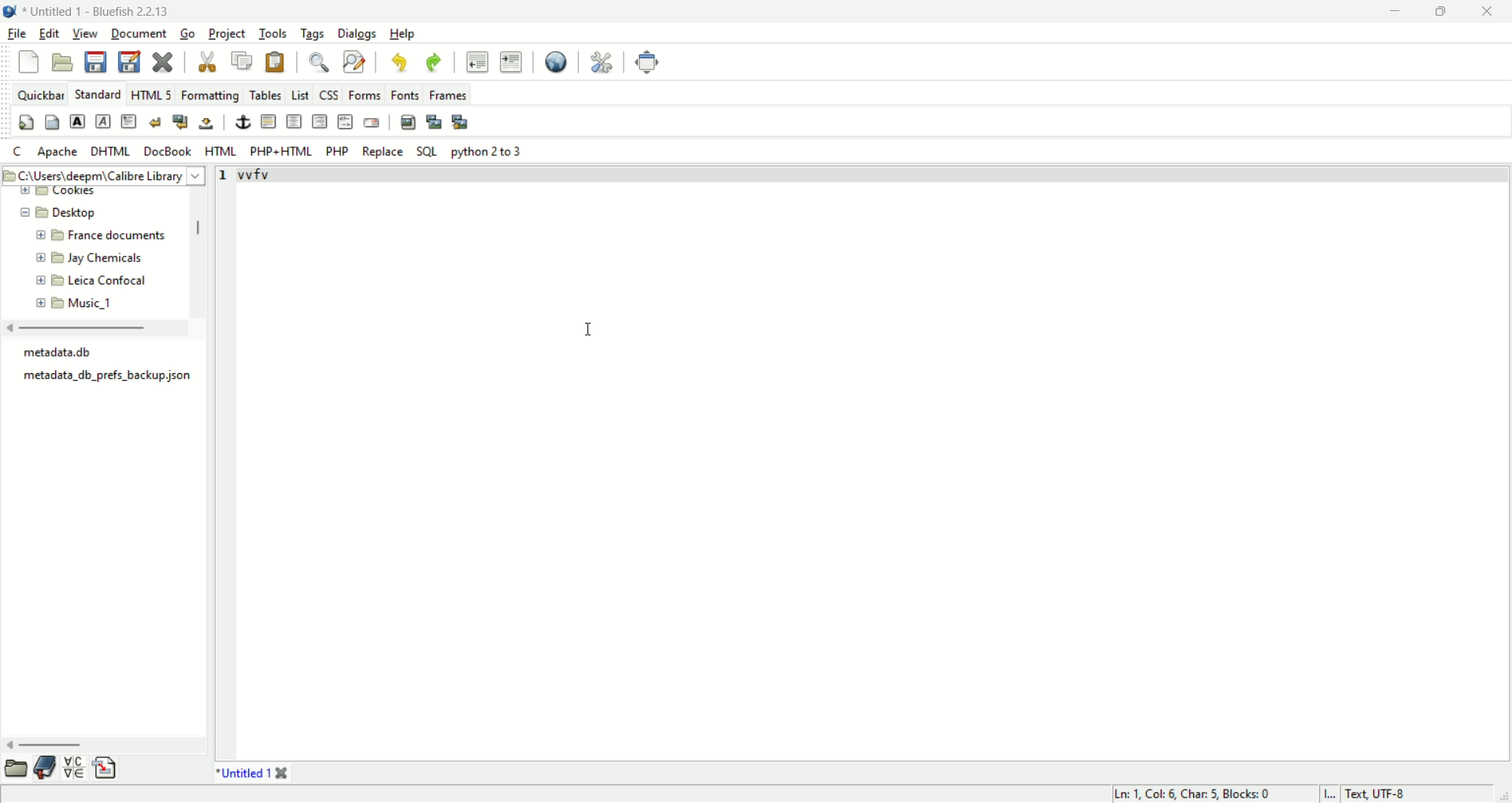  I want to click on anchor, so click(243, 122).